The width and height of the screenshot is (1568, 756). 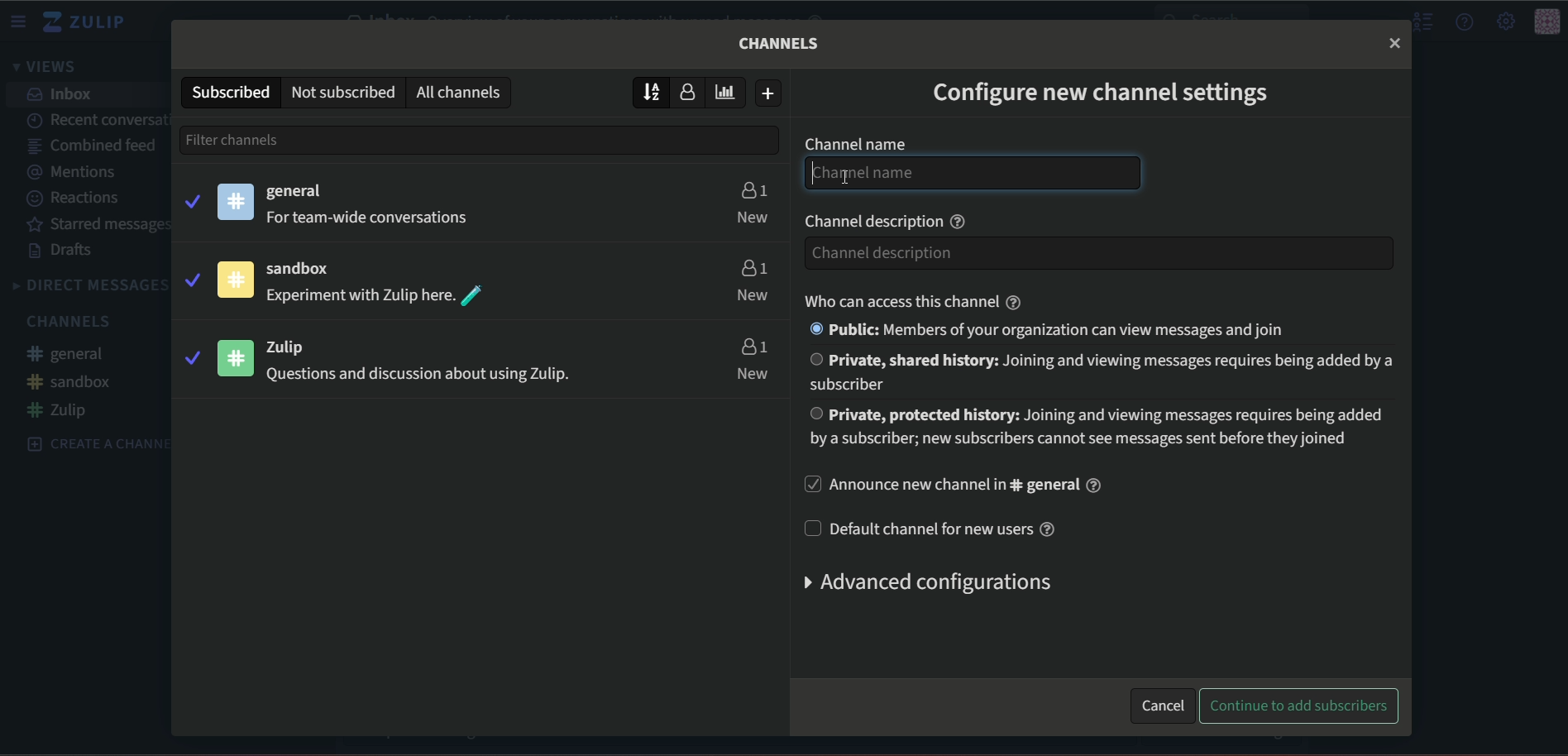 What do you see at coordinates (1096, 428) in the screenshot?
I see `Private, protected history` at bounding box center [1096, 428].